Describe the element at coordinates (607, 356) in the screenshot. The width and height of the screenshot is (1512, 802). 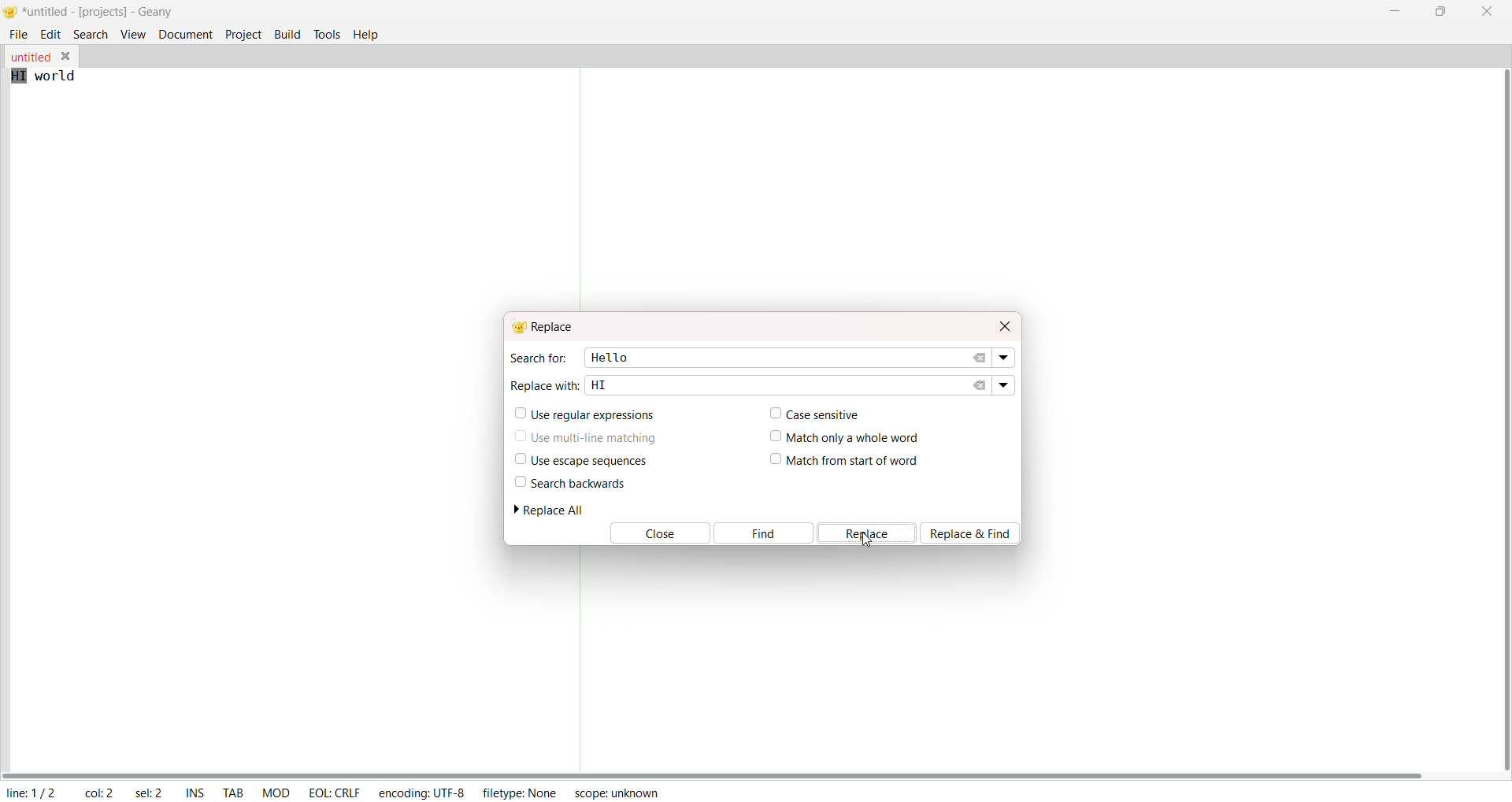
I see `hello` at that location.